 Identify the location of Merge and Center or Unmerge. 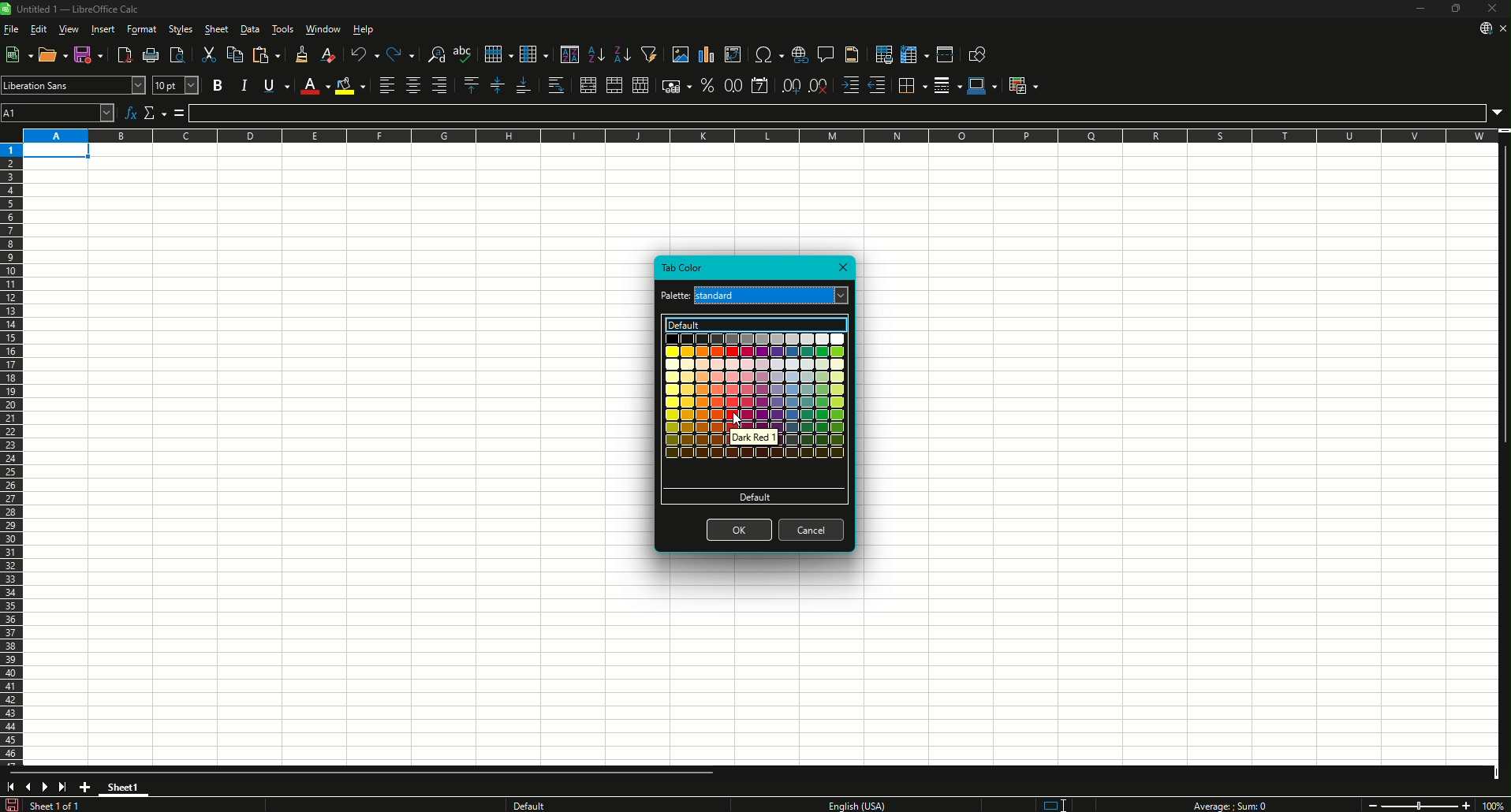
(588, 85).